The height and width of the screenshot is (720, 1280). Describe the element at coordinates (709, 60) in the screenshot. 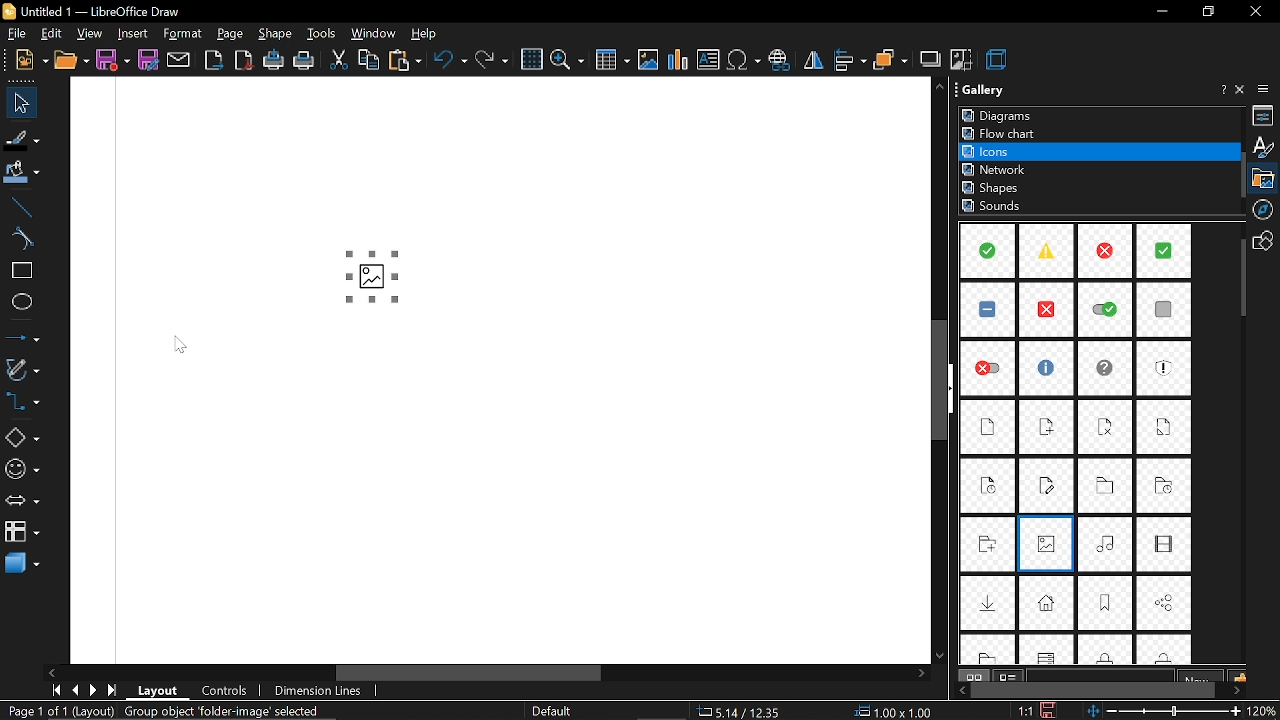

I see `insert text` at that location.